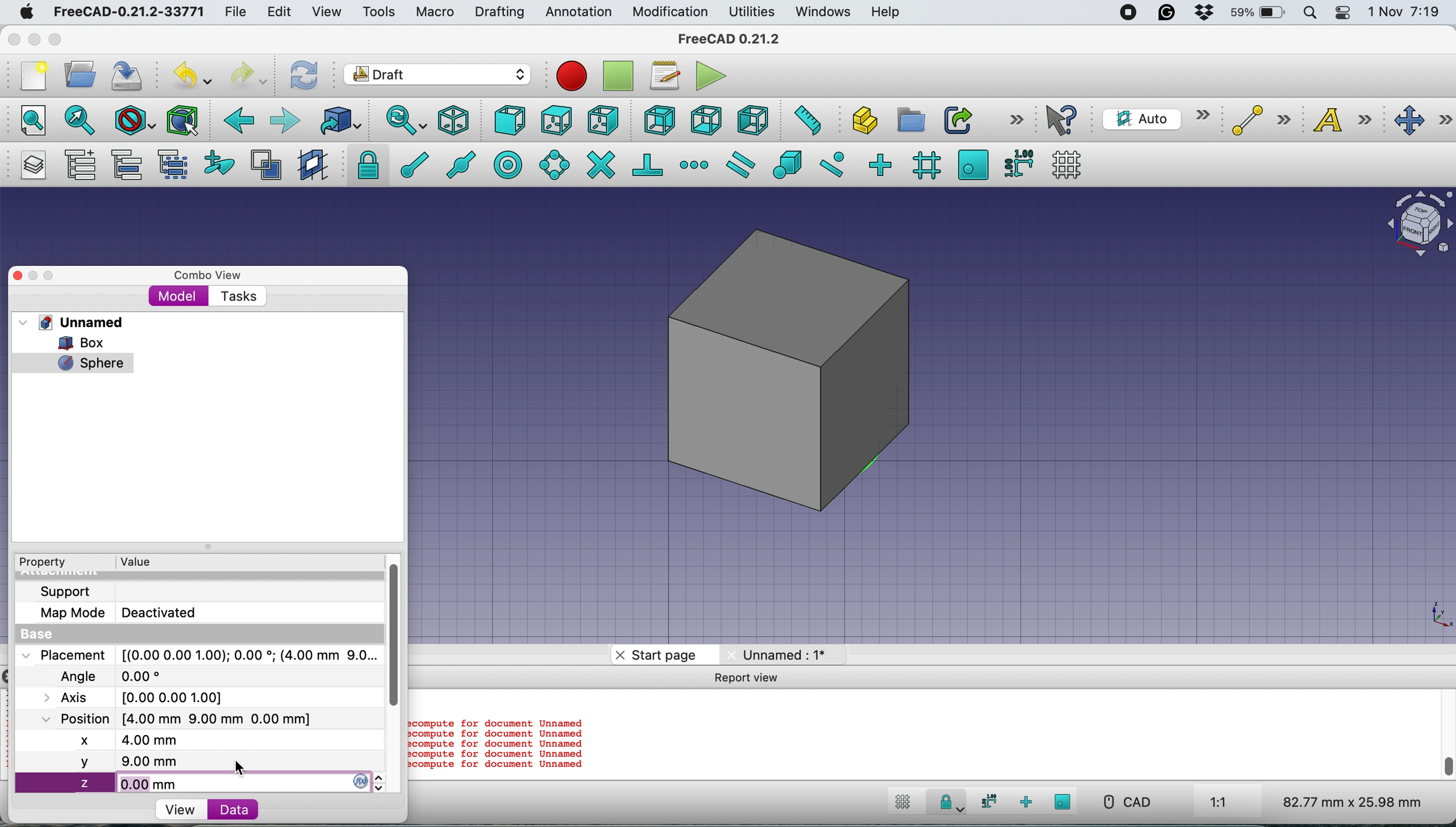 The width and height of the screenshot is (1456, 827). What do you see at coordinates (125, 612) in the screenshot?
I see `map mode` at bounding box center [125, 612].